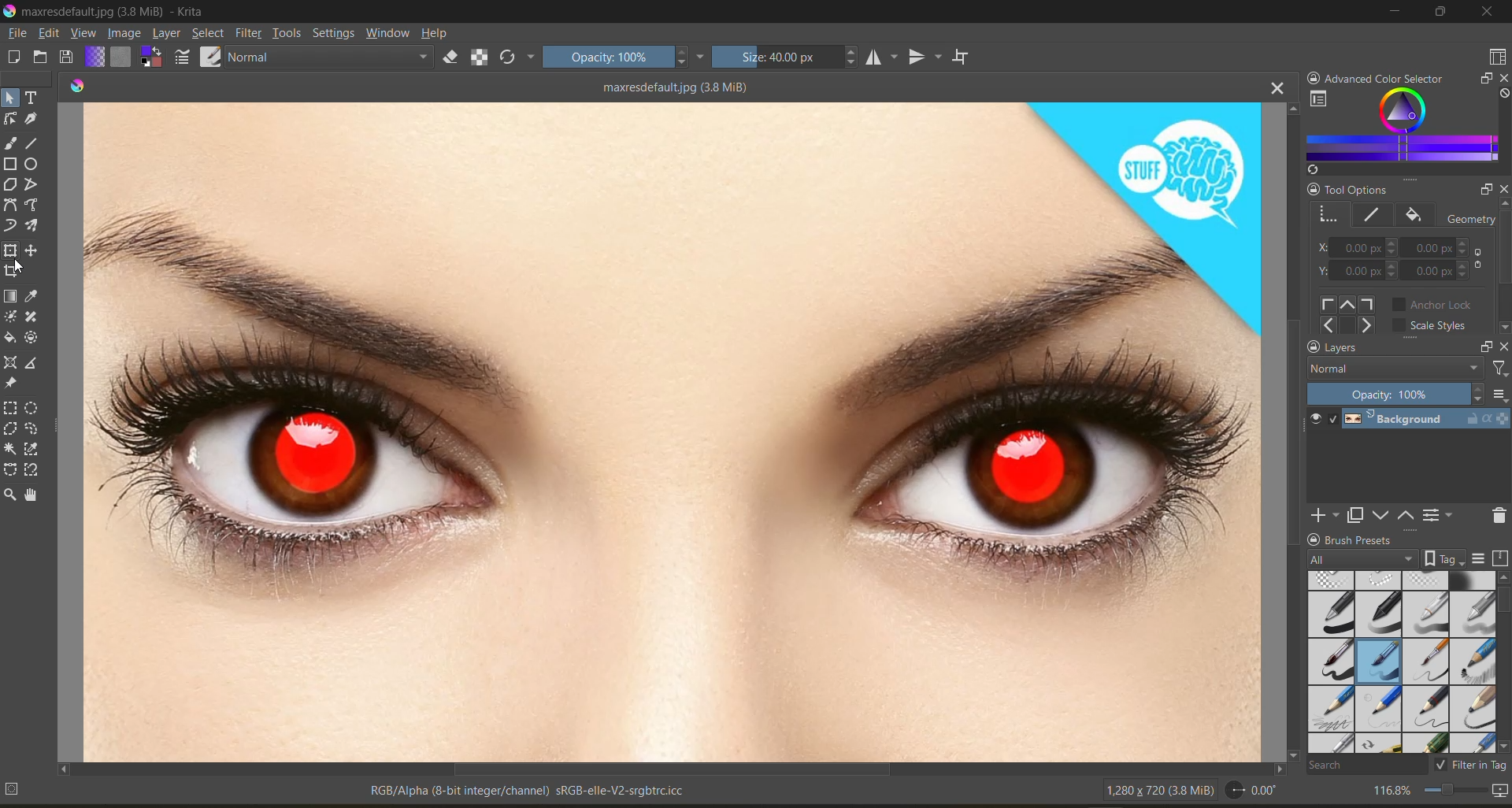 Image resolution: width=1512 pixels, height=808 pixels. Describe the element at coordinates (1157, 793) in the screenshot. I see `image metadata` at that location.